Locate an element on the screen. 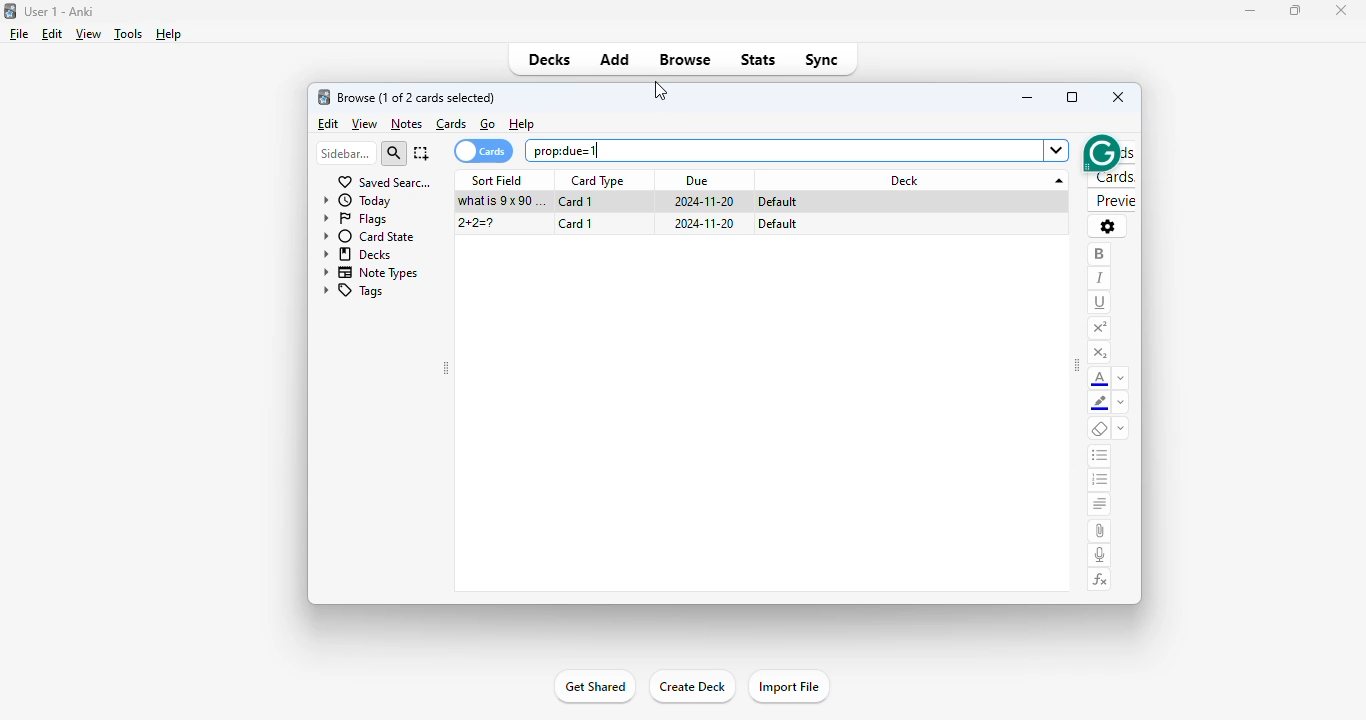 This screenshot has width=1366, height=720. note types is located at coordinates (369, 273).